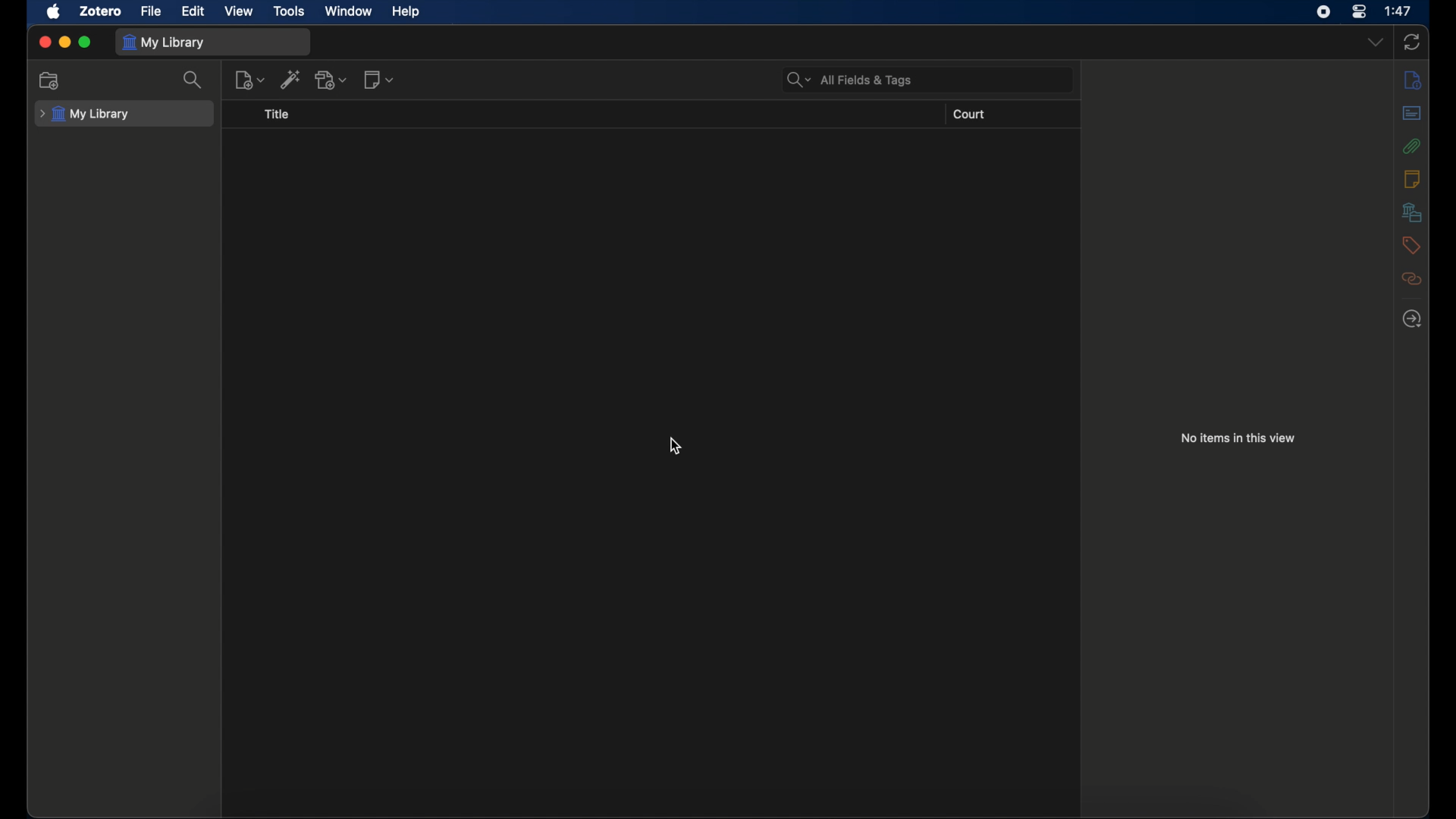 The width and height of the screenshot is (1456, 819). What do you see at coordinates (1412, 318) in the screenshot?
I see `locate` at bounding box center [1412, 318].